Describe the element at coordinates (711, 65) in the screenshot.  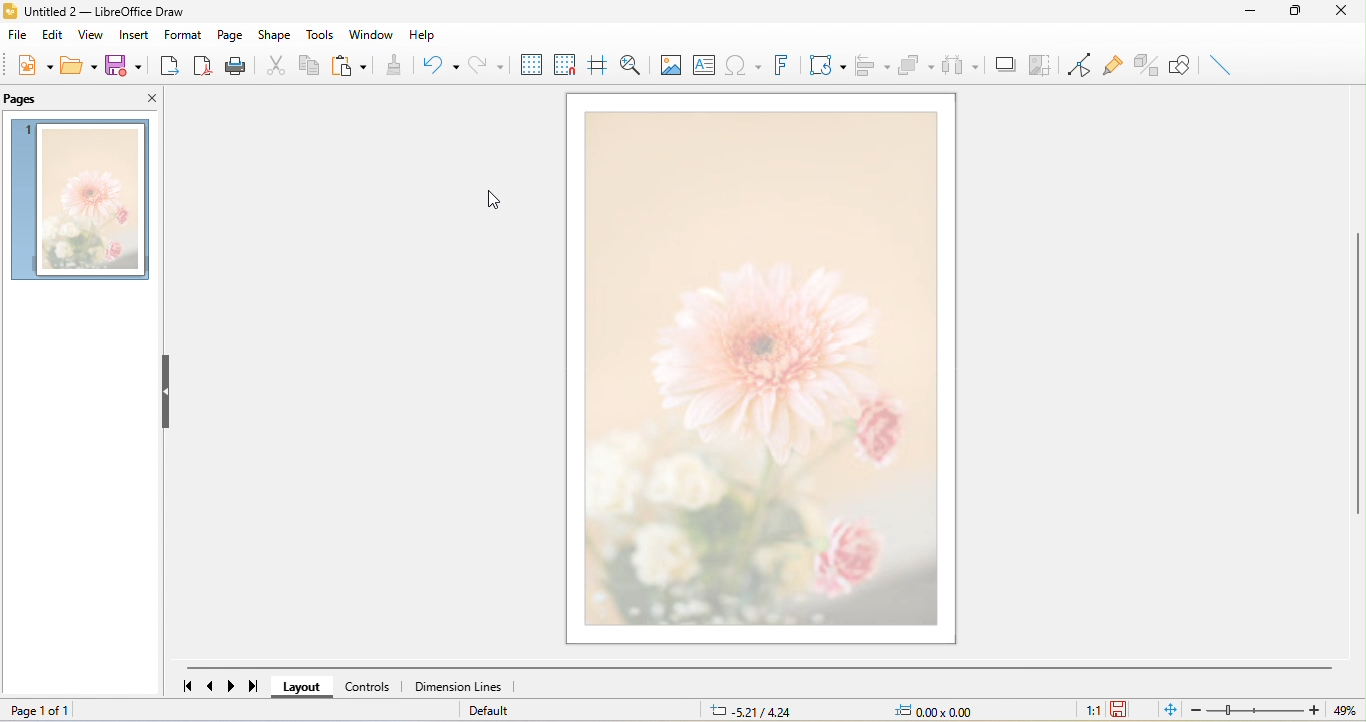
I see `text box` at that location.